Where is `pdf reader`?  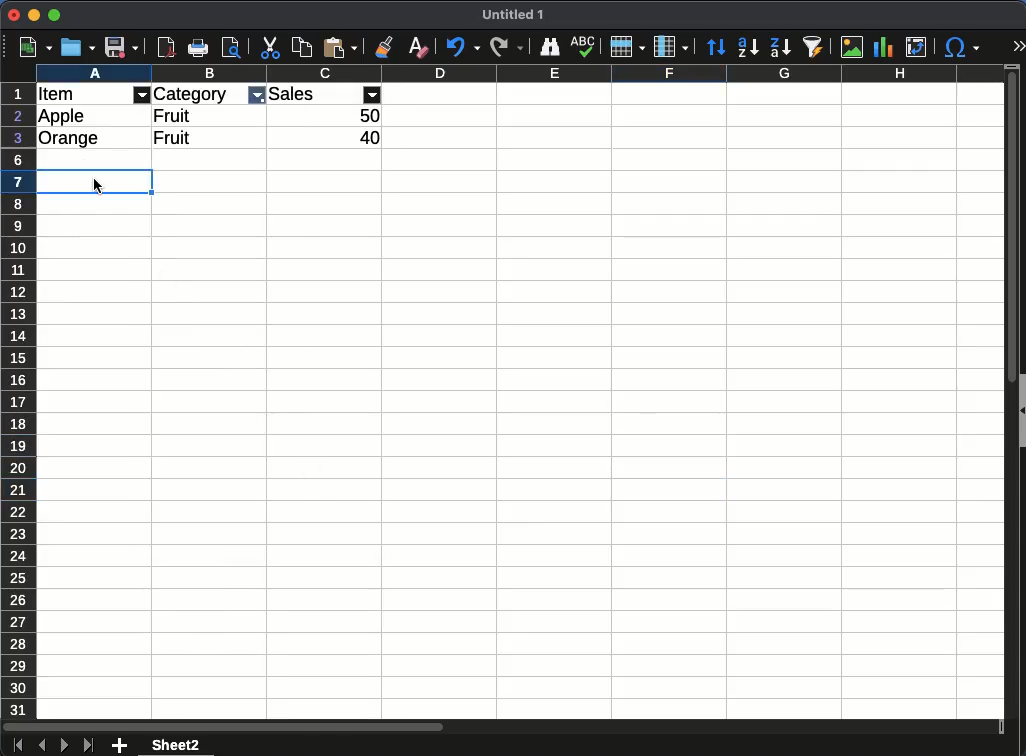 pdf reader is located at coordinates (166, 48).